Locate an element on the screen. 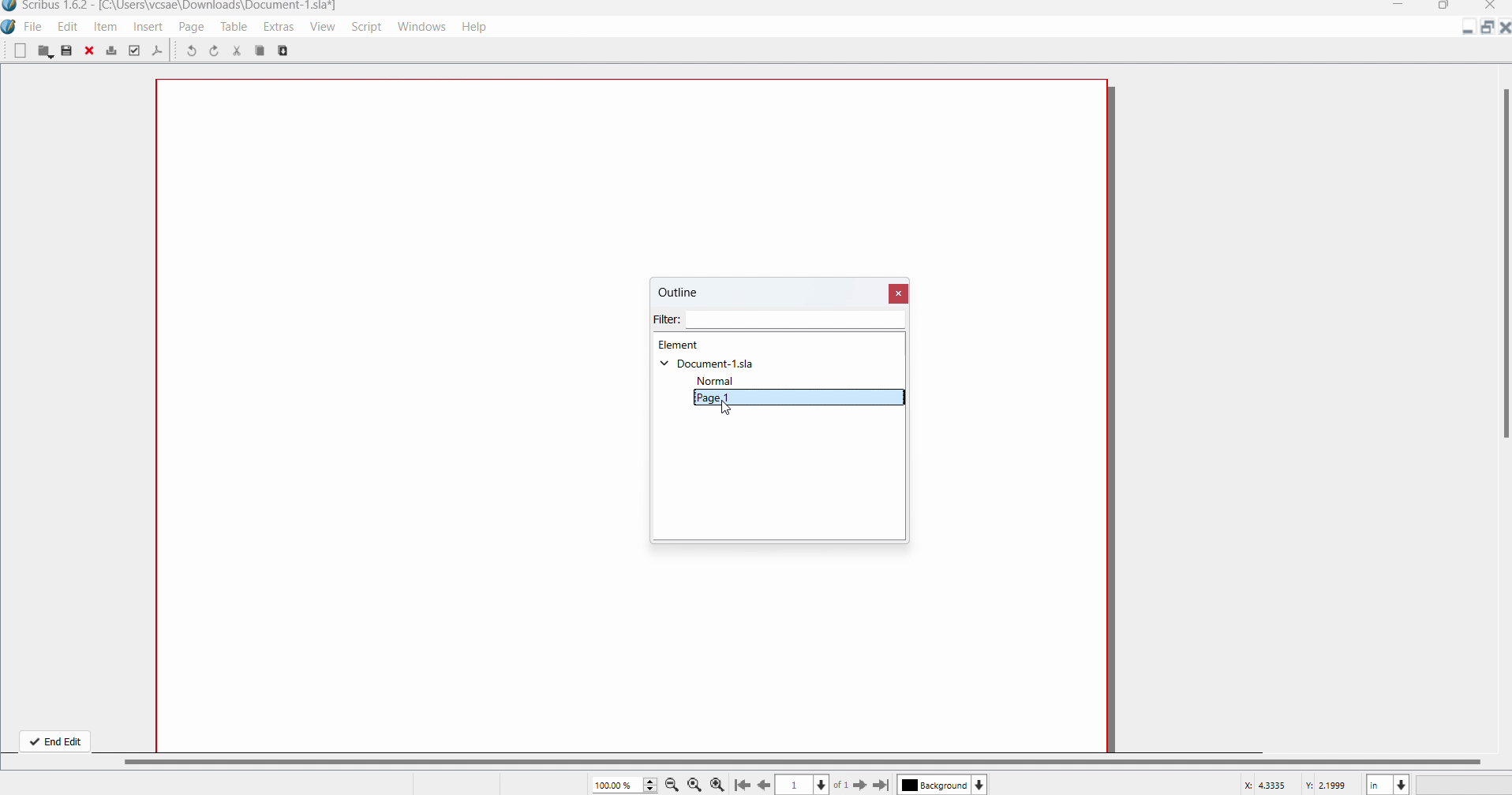   is located at coordinates (233, 28).